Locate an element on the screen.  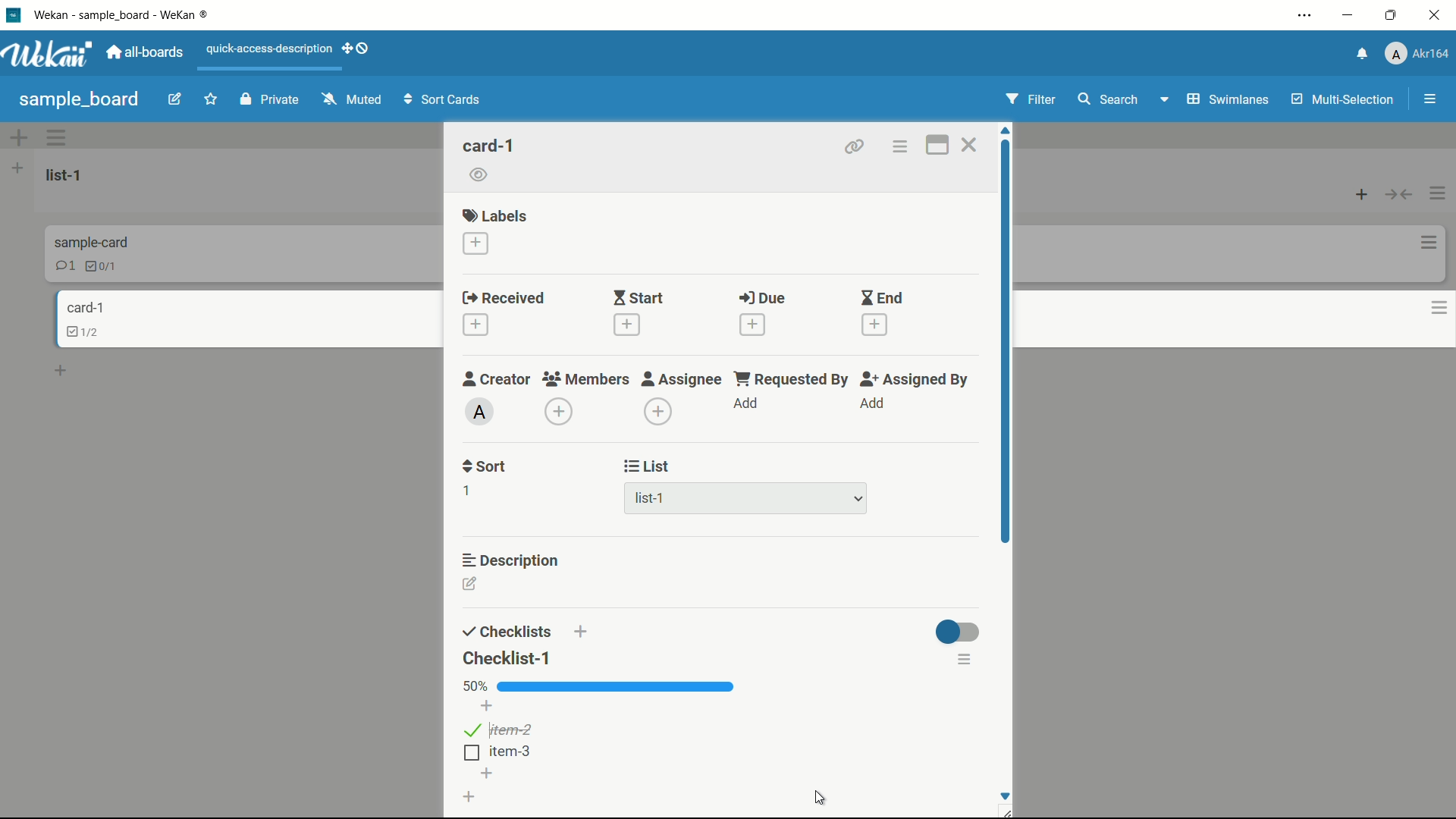
sample_board is located at coordinates (80, 99).